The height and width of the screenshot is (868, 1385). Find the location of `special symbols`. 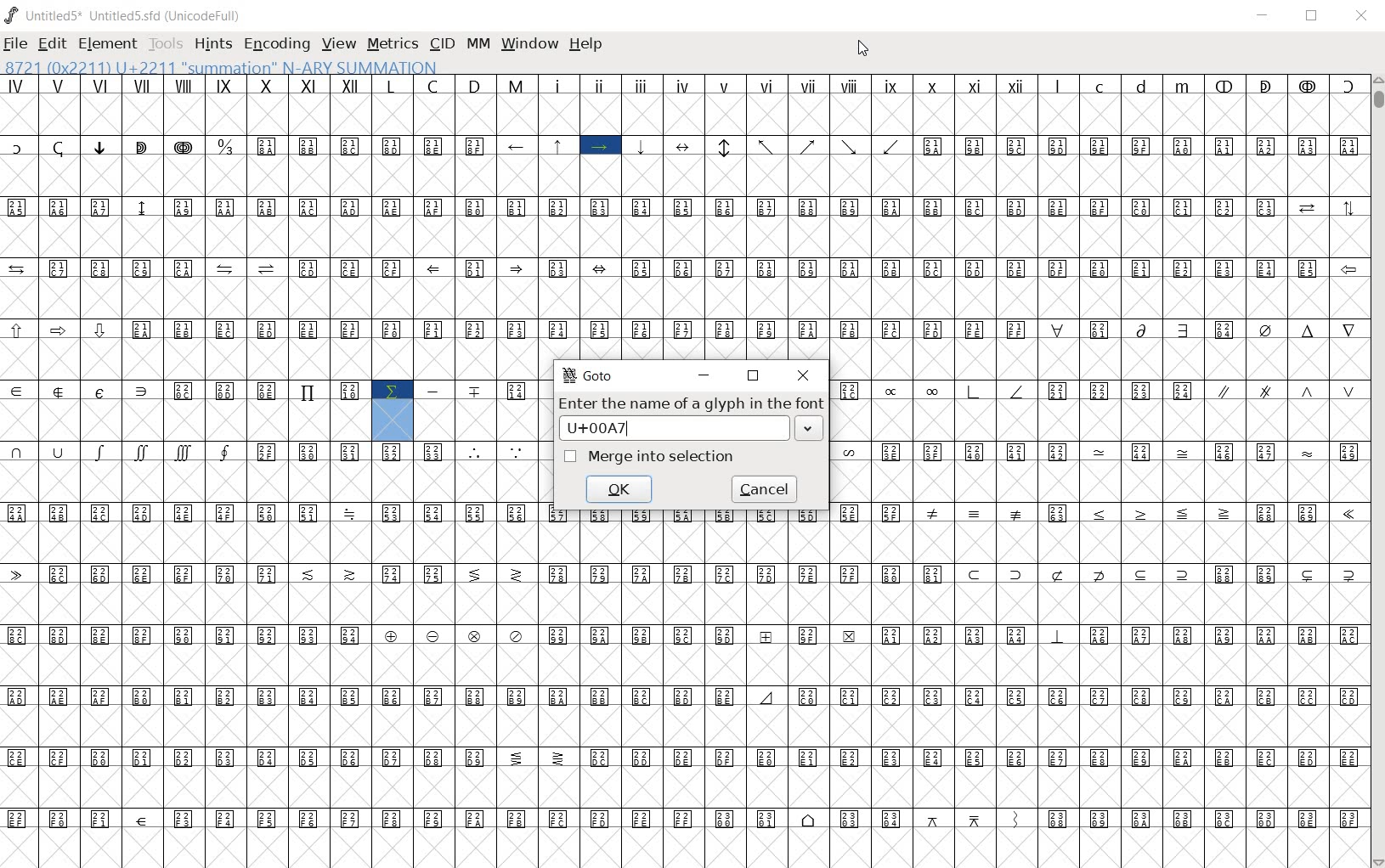

special symbols is located at coordinates (480, 388).